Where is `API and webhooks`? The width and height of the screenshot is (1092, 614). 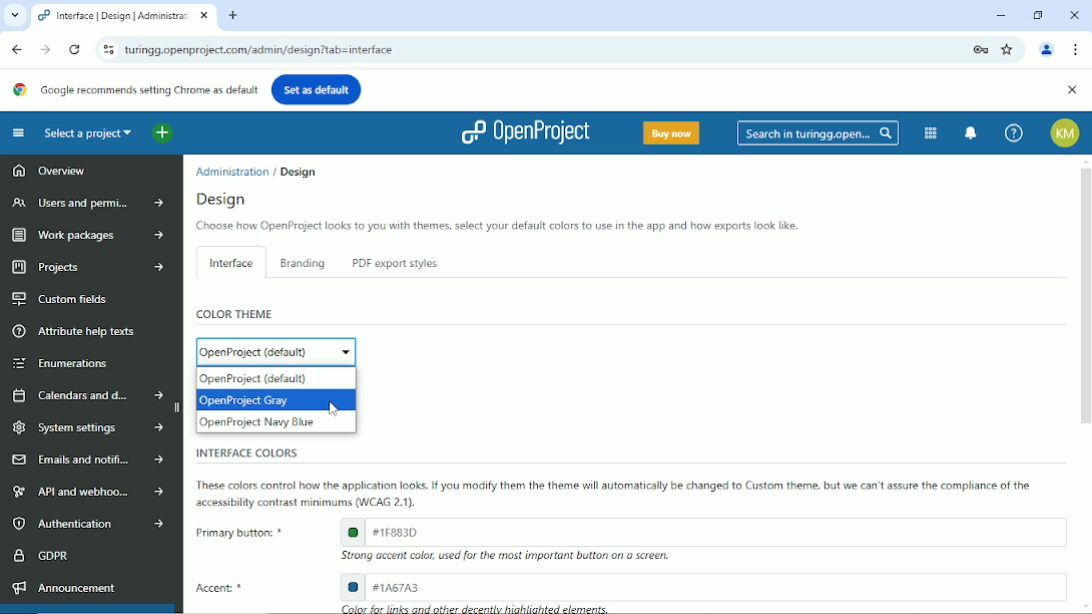 API and webhooks is located at coordinates (84, 492).